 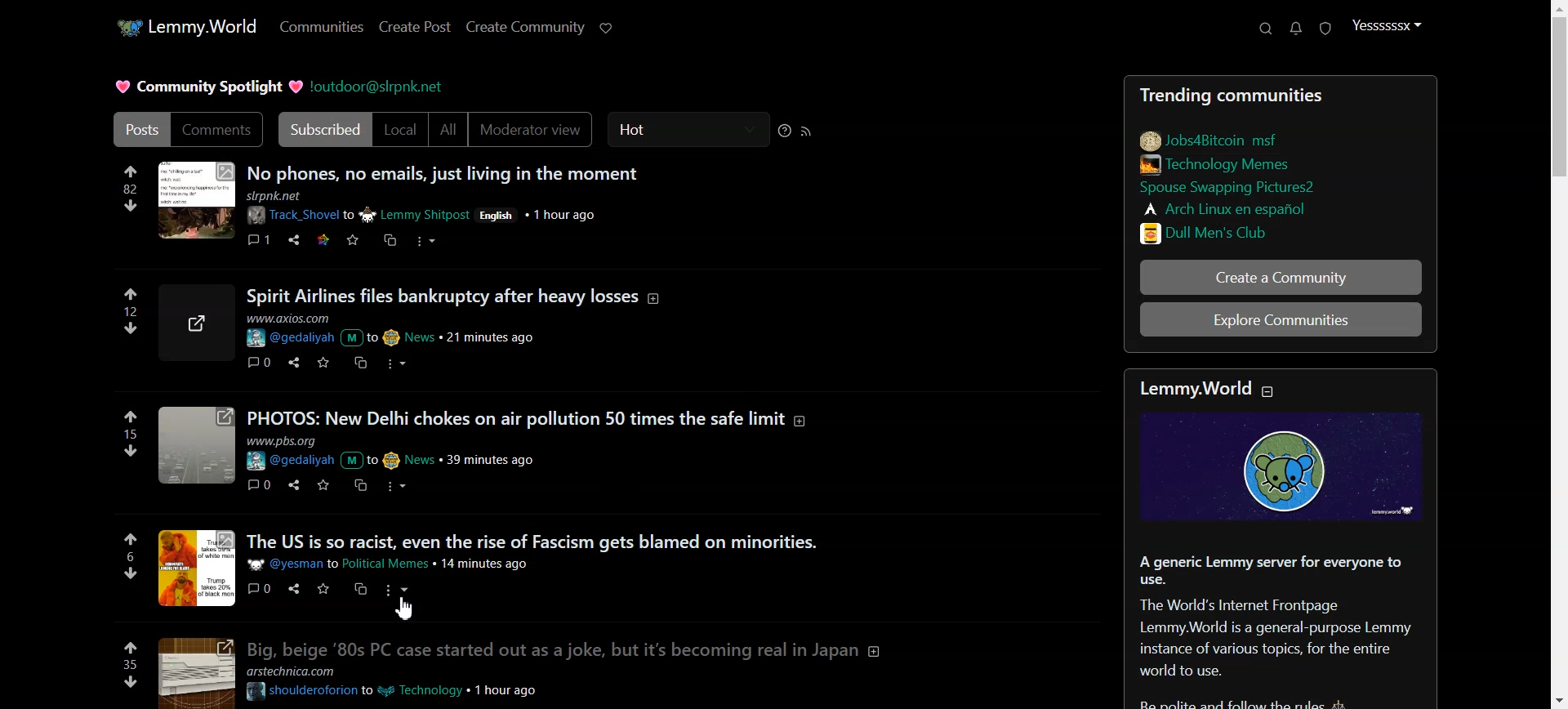 I want to click on post , so click(x=577, y=294).